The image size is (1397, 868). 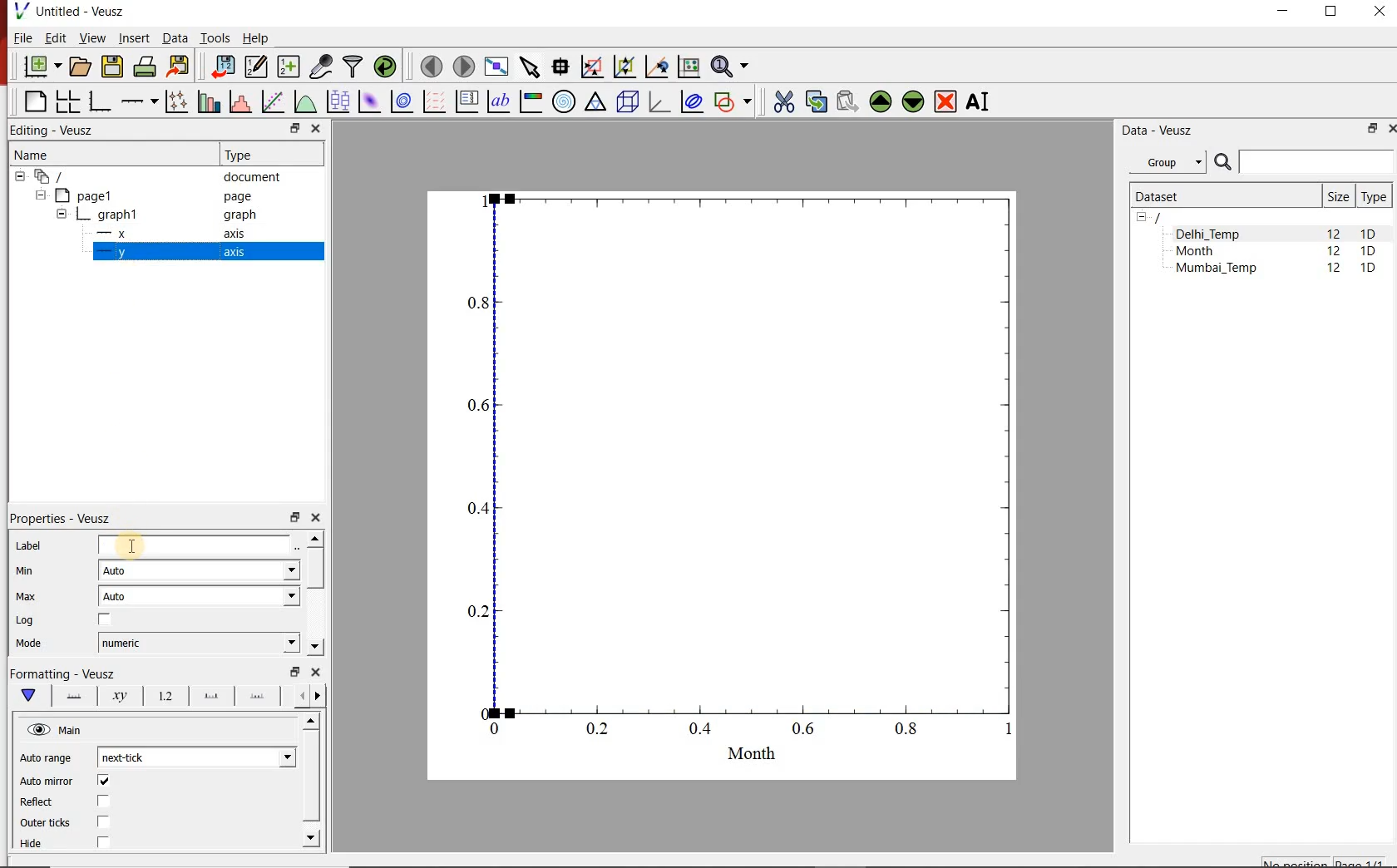 What do you see at coordinates (431, 66) in the screenshot?
I see `move to the previous page` at bounding box center [431, 66].